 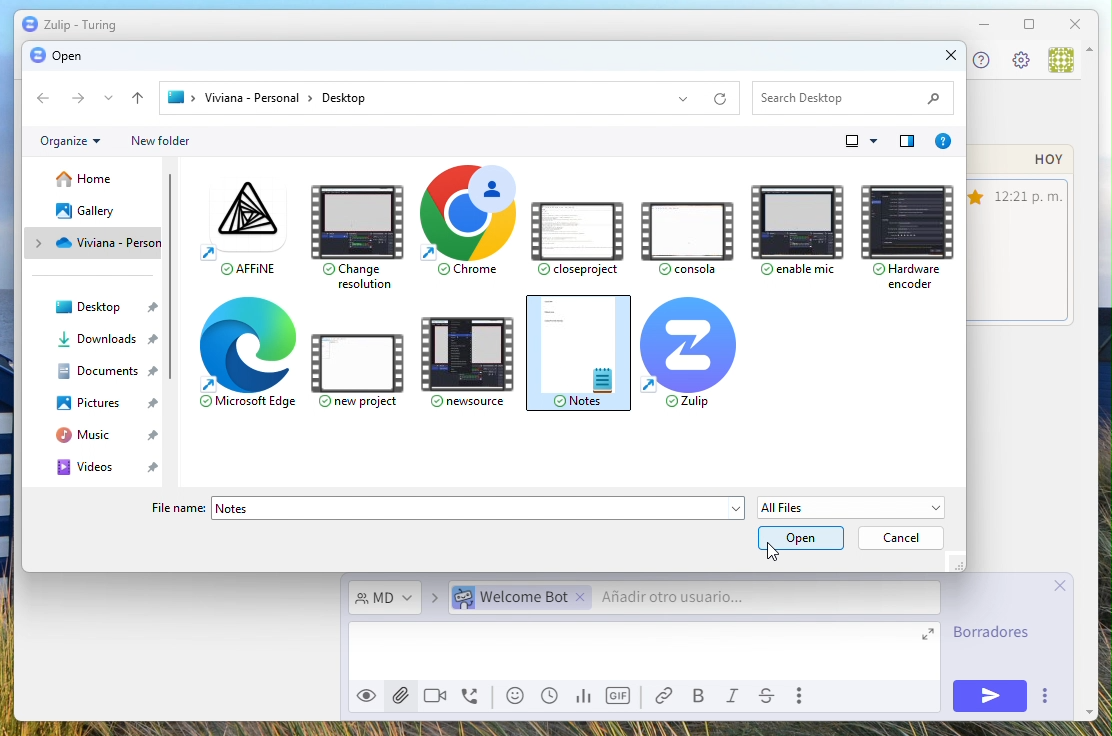 I want to click on stats, so click(x=582, y=697).